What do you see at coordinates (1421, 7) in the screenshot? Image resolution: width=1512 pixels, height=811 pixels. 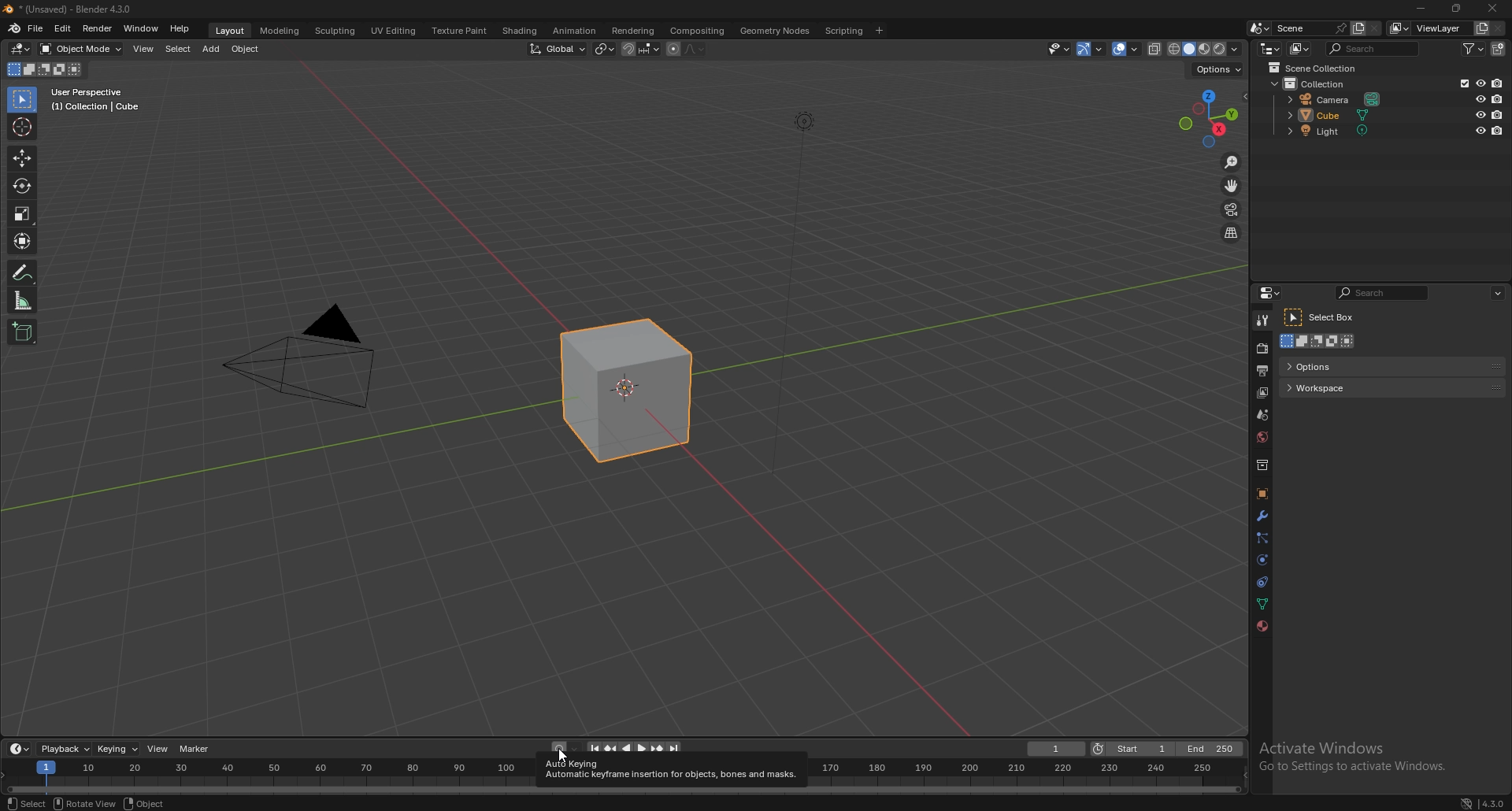 I see `minimize` at bounding box center [1421, 7].